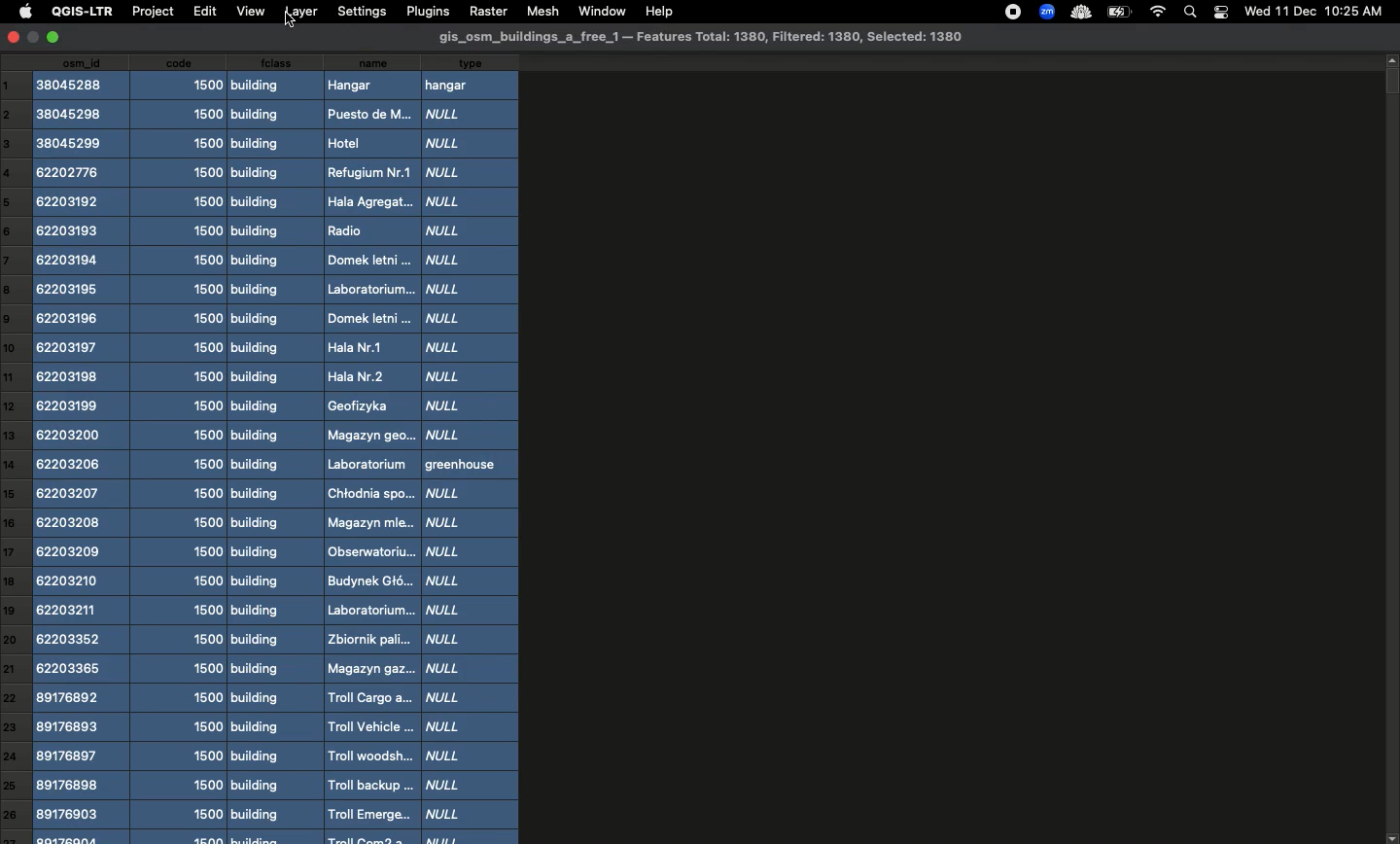  Describe the element at coordinates (250, 12) in the screenshot. I see `View` at that location.